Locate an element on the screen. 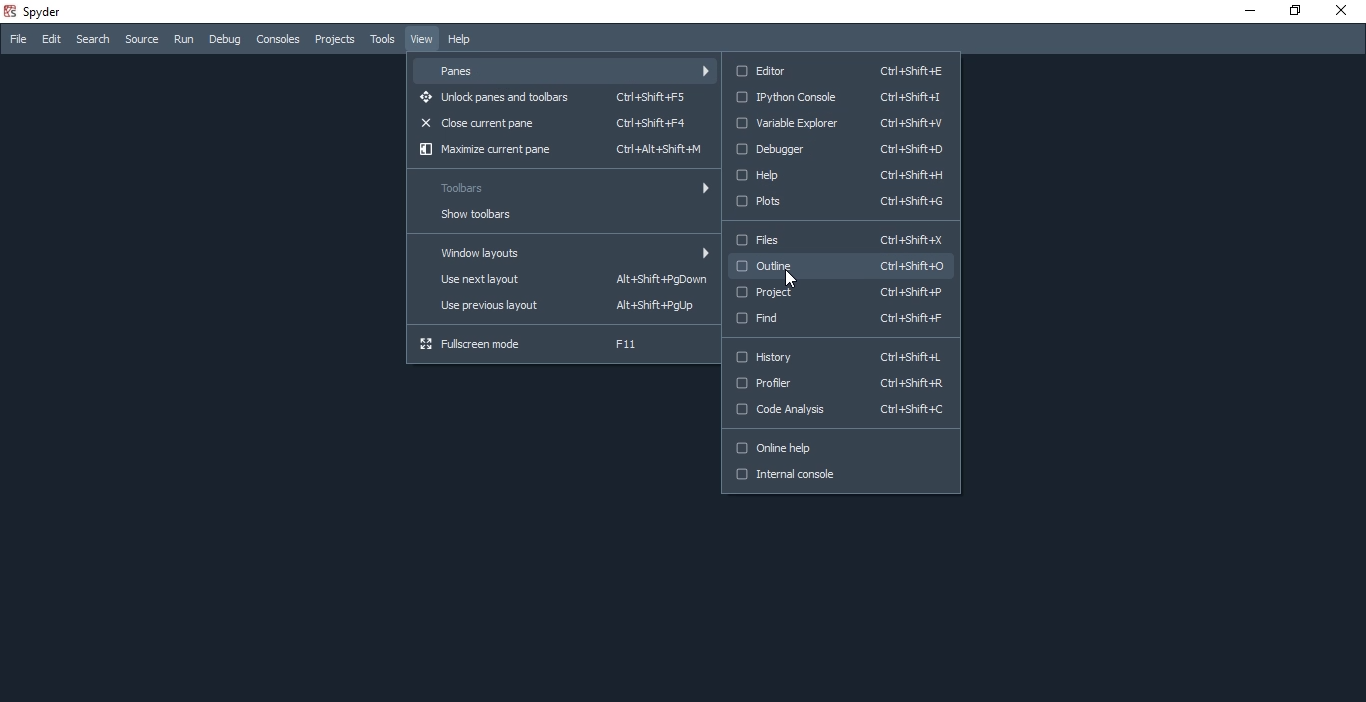 The width and height of the screenshot is (1366, 702). Close current pane is located at coordinates (564, 123).